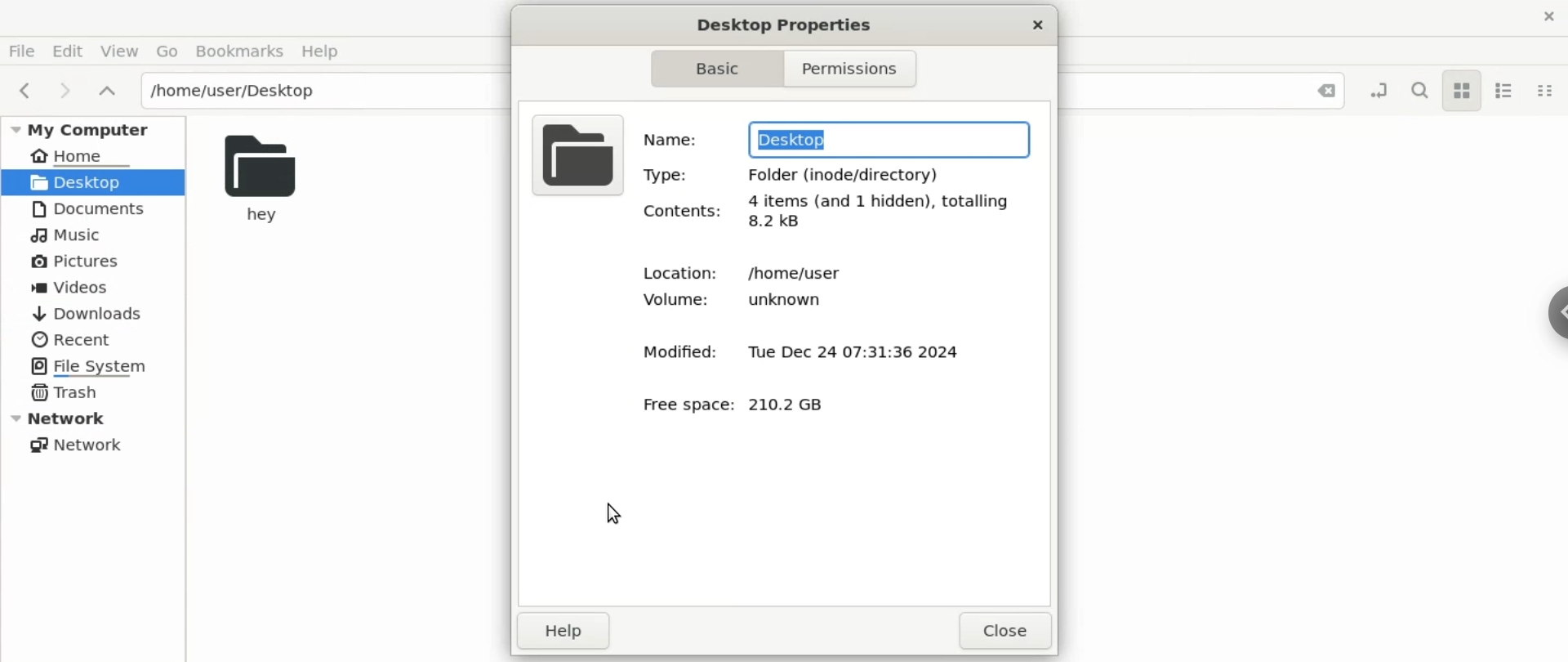 Image resolution: width=1568 pixels, height=662 pixels. Describe the element at coordinates (1003, 629) in the screenshot. I see `close` at that location.